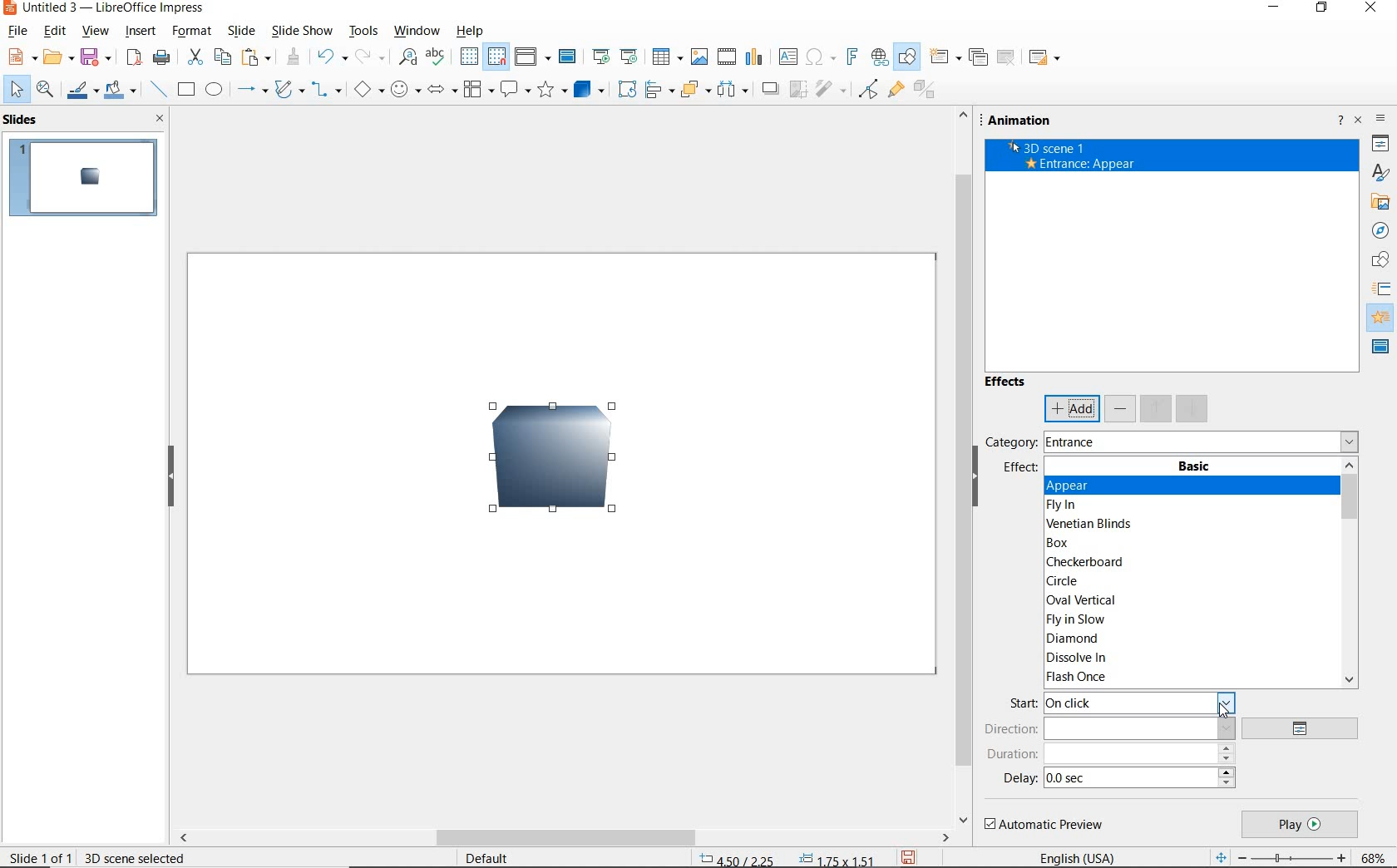 Image resolution: width=1397 pixels, height=868 pixels. I want to click on ENTRANCE, so click(1077, 441).